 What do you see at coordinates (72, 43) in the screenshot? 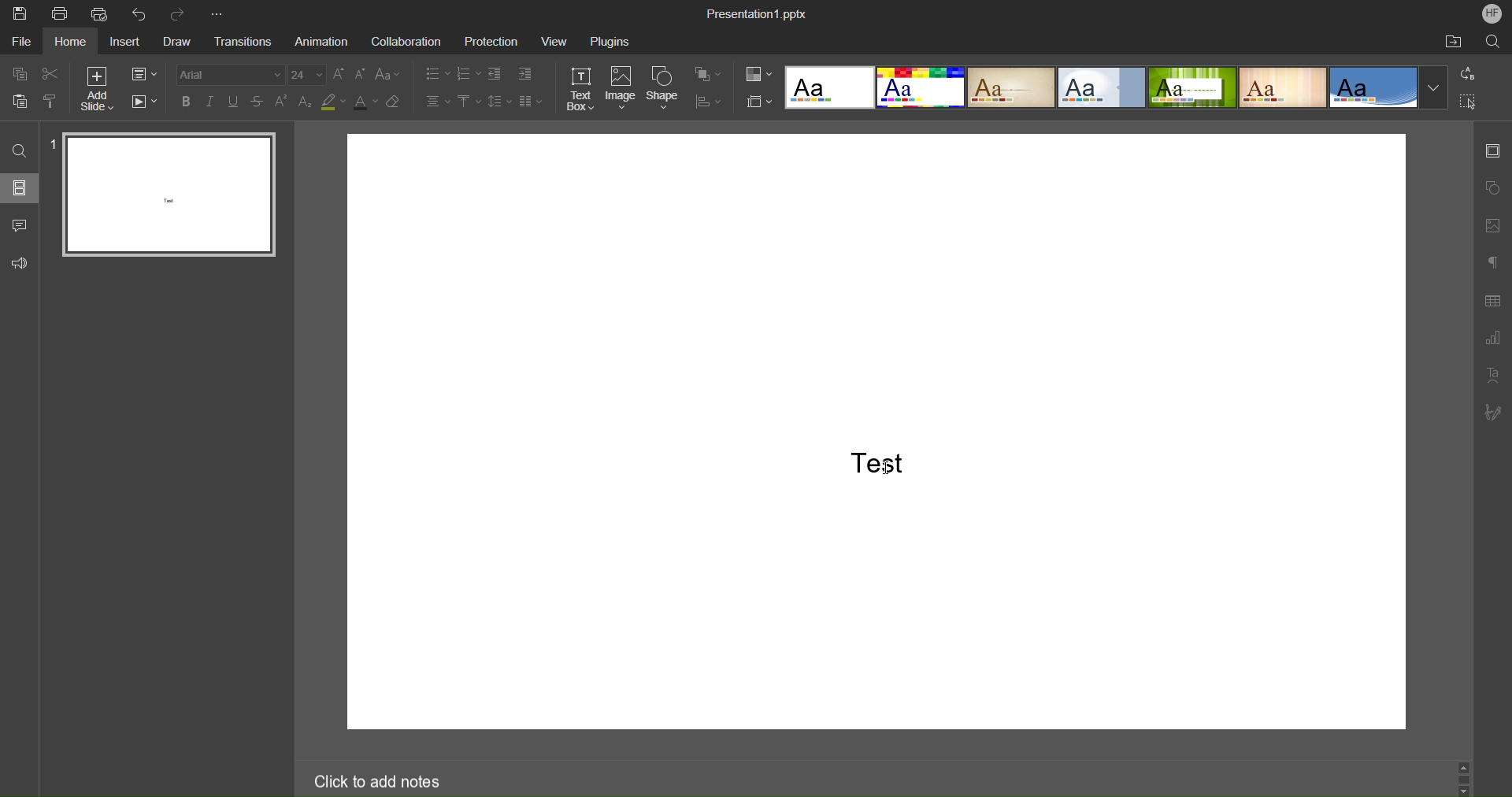
I see `Home` at bounding box center [72, 43].